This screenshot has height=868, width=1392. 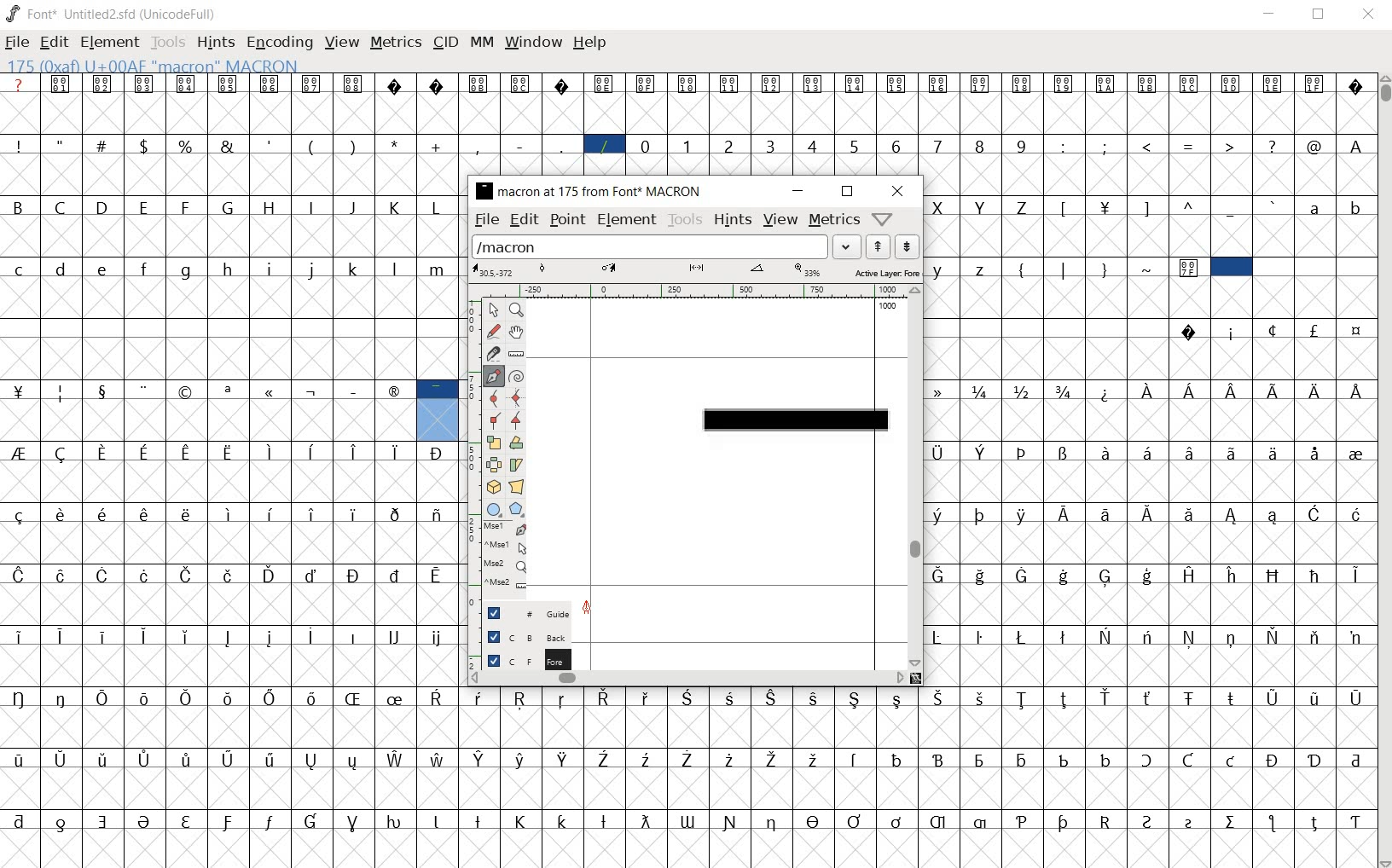 What do you see at coordinates (1232, 389) in the screenshot?
I see `Symbol` at bounding box center [1232, 389].